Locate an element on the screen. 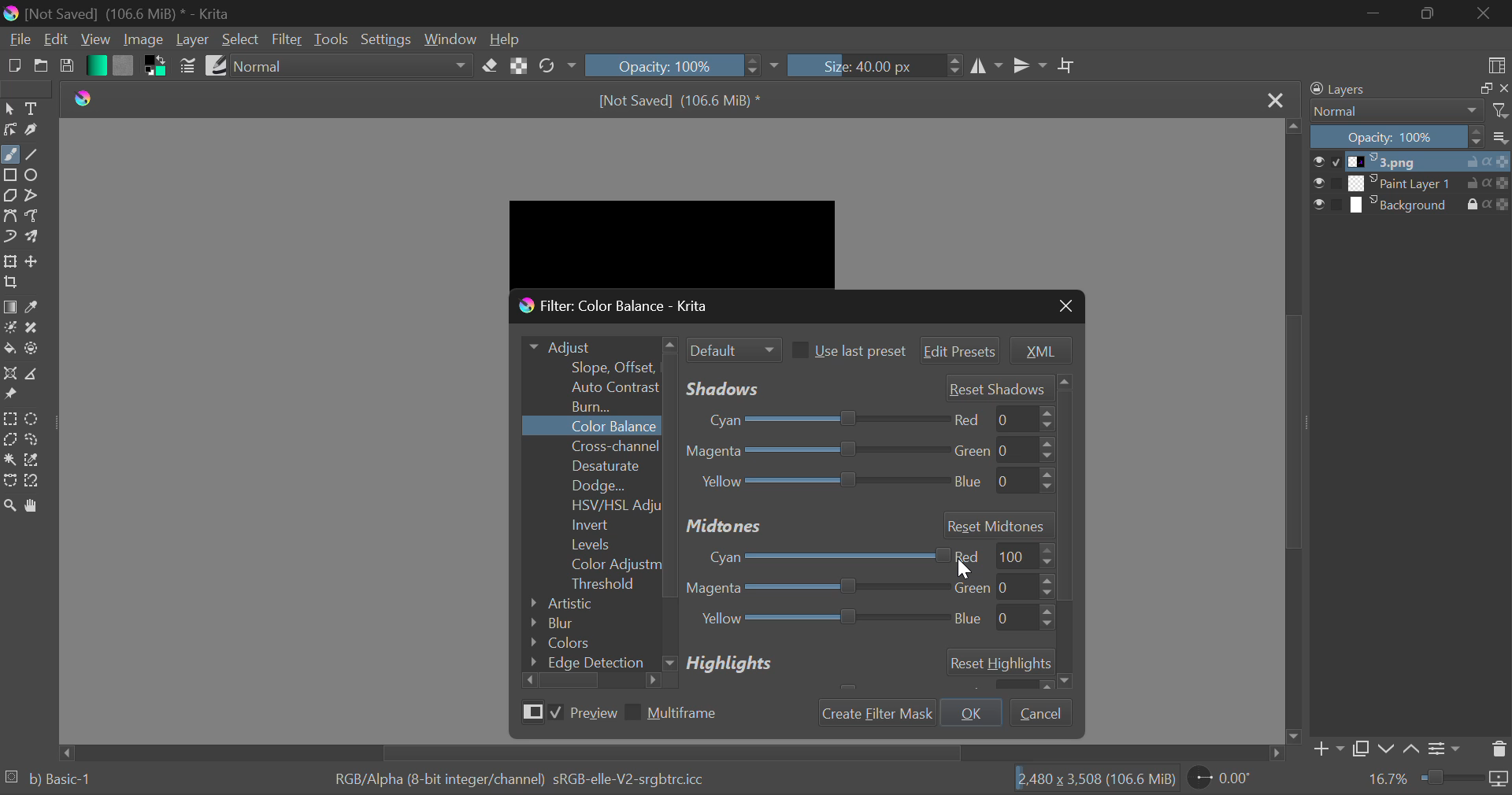 The image size is (1512, 795). red is located at coordinates (1003, 556).